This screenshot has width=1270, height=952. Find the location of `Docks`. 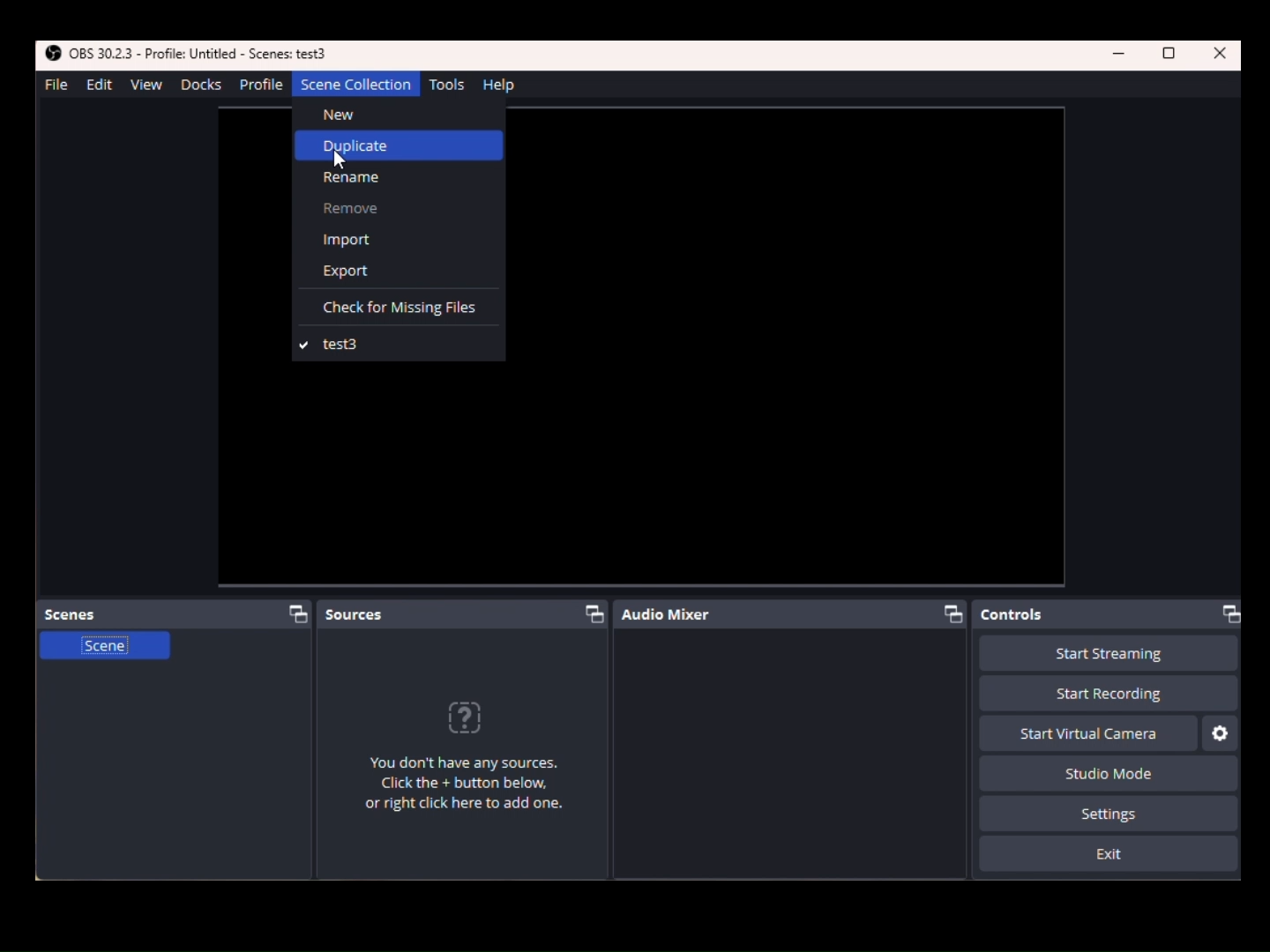

Docks is located at coordinates (199, 85).